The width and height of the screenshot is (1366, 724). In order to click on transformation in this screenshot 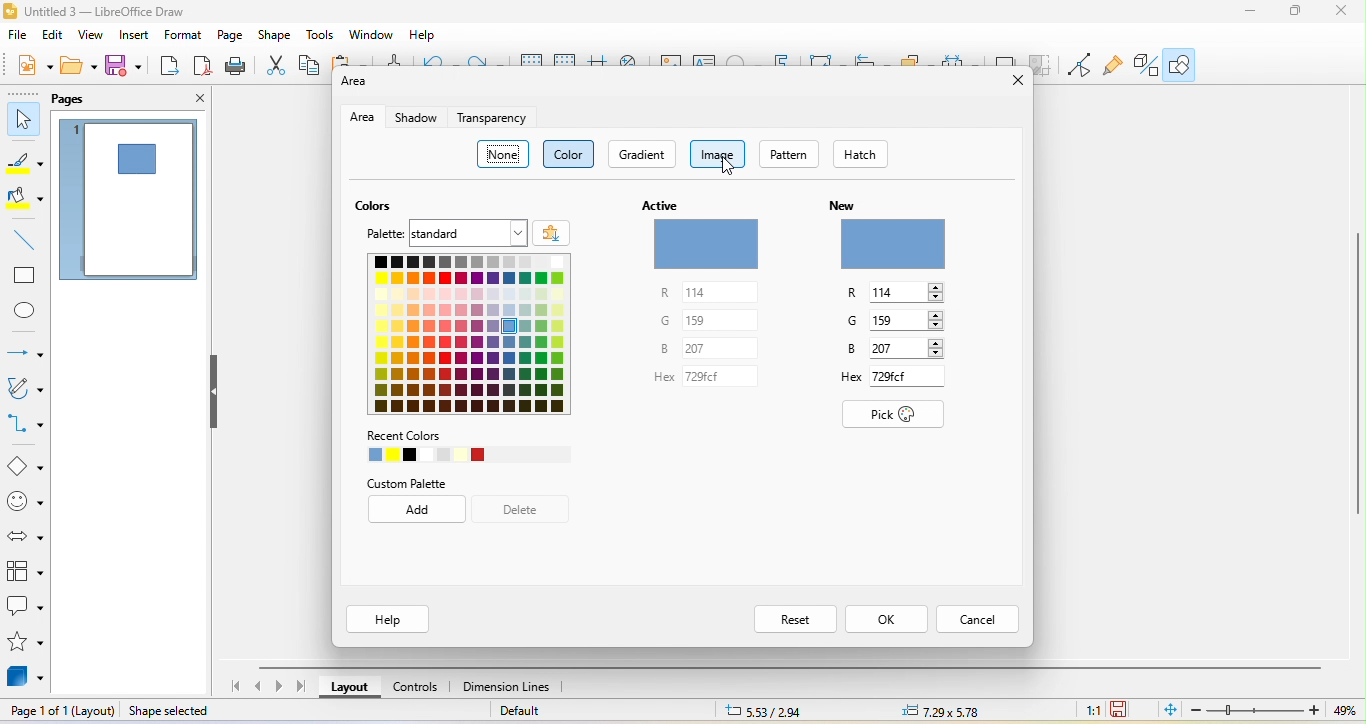, I will do `click(829, 59)`.